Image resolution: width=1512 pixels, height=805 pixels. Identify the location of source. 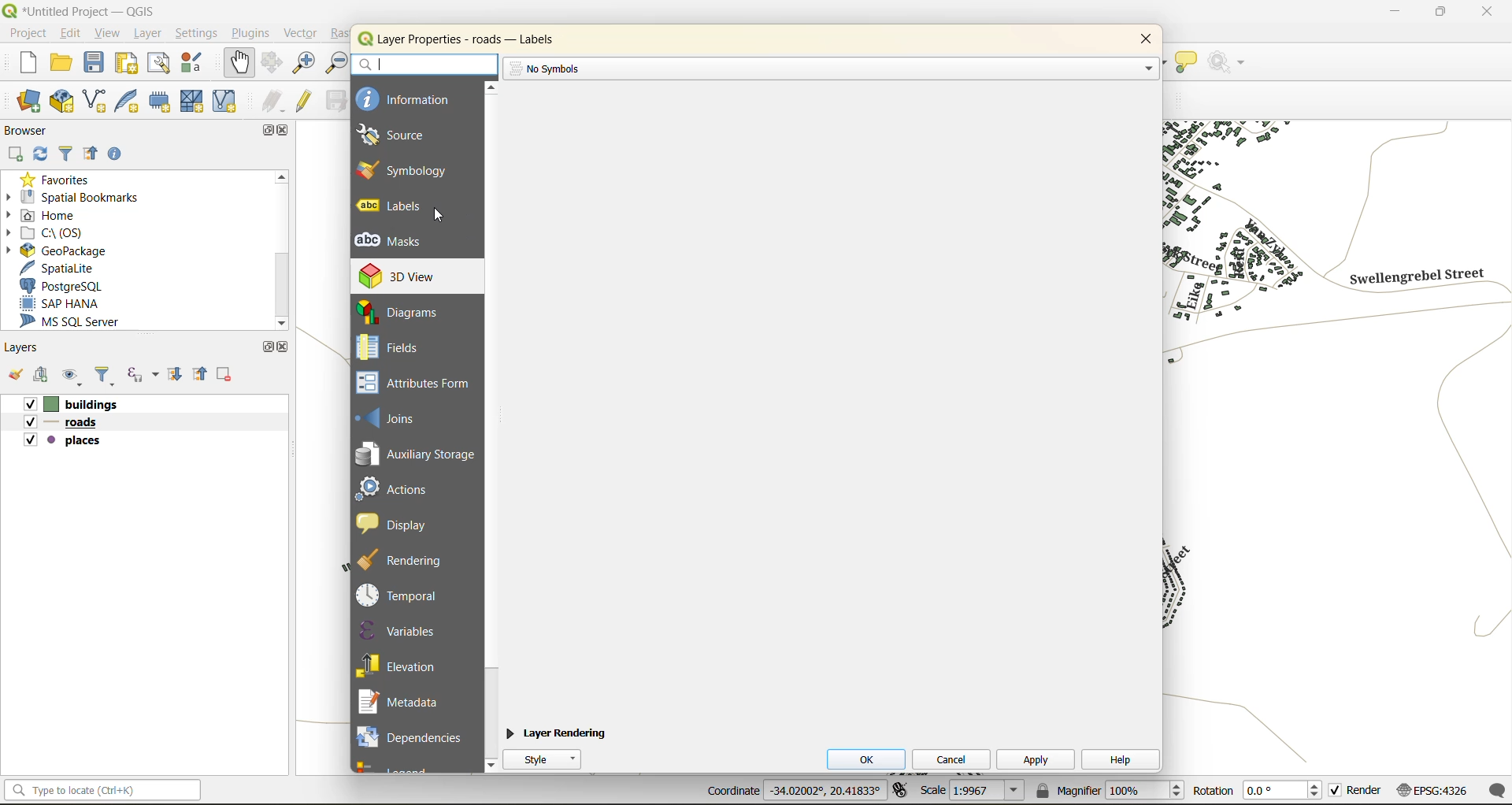
(402, 135).